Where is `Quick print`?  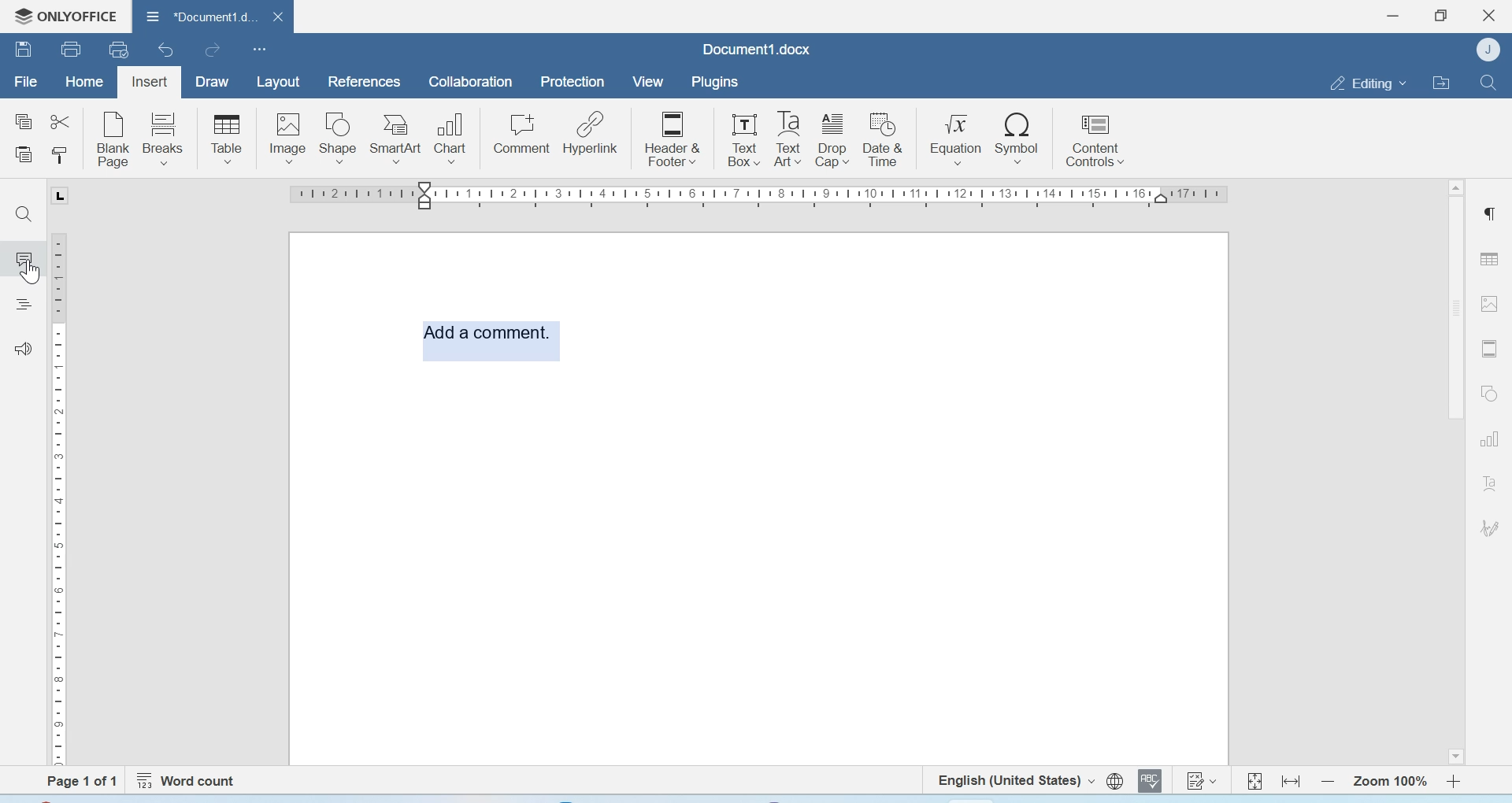
Quick print is located at coordinates (119, 49).